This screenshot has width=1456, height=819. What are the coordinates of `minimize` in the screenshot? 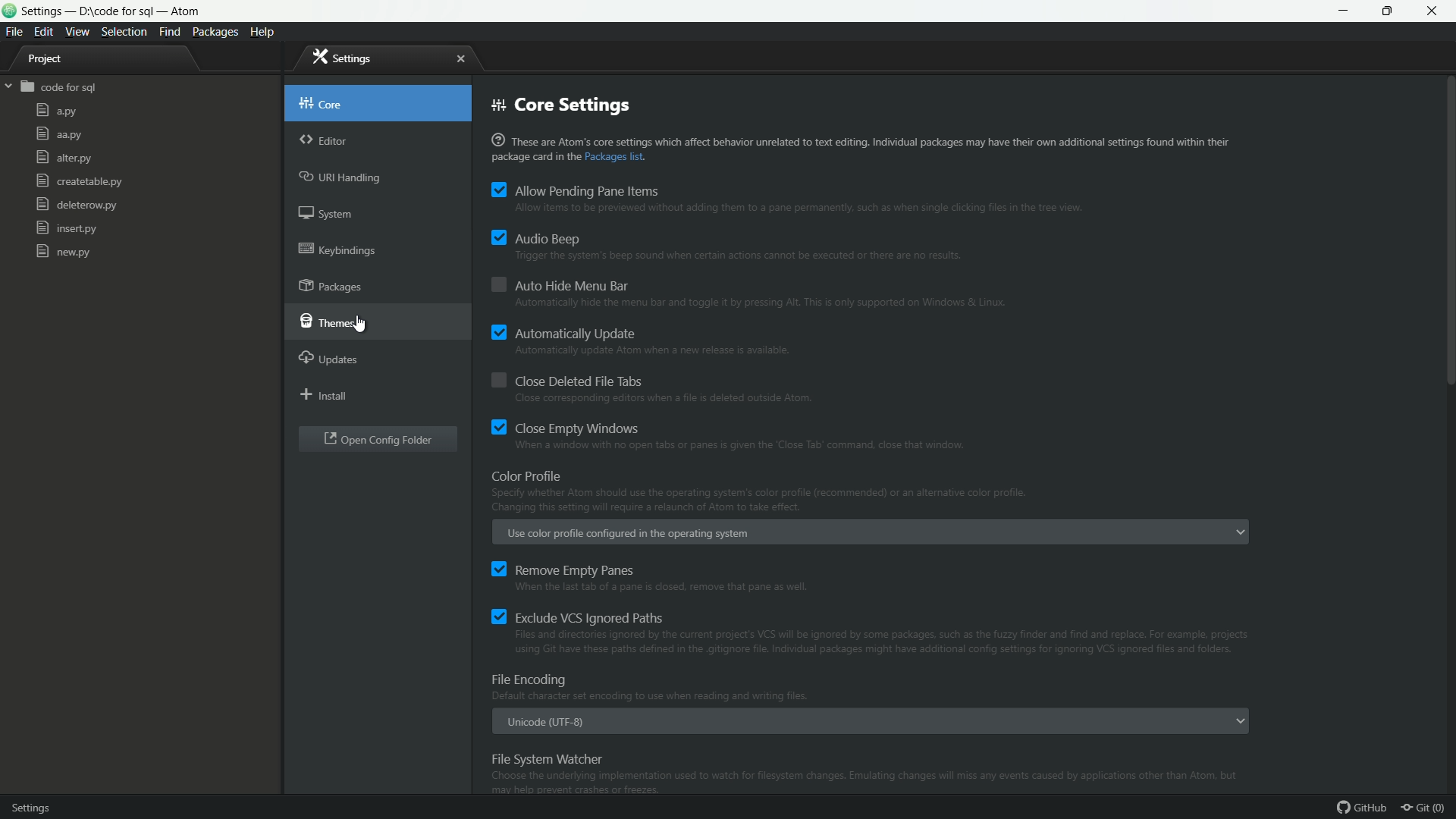 It's located at (1345, 11).